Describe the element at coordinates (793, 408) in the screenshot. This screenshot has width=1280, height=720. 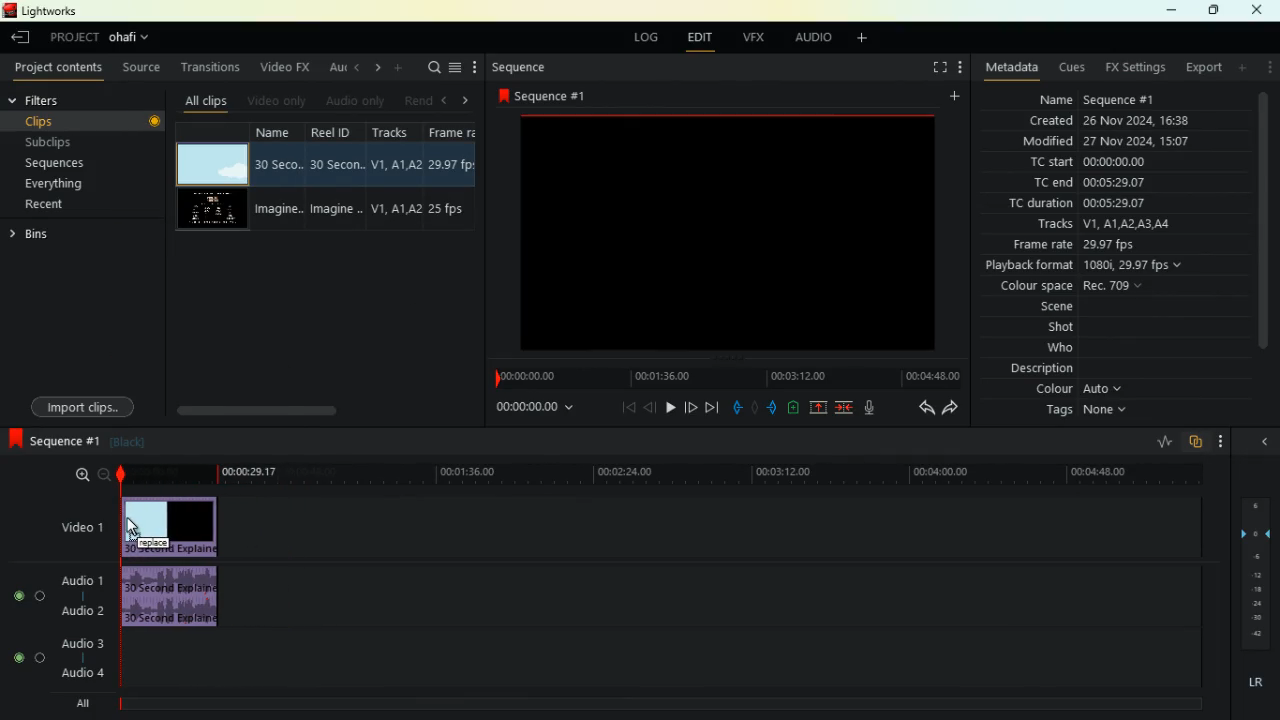
I see `battery` at that location.